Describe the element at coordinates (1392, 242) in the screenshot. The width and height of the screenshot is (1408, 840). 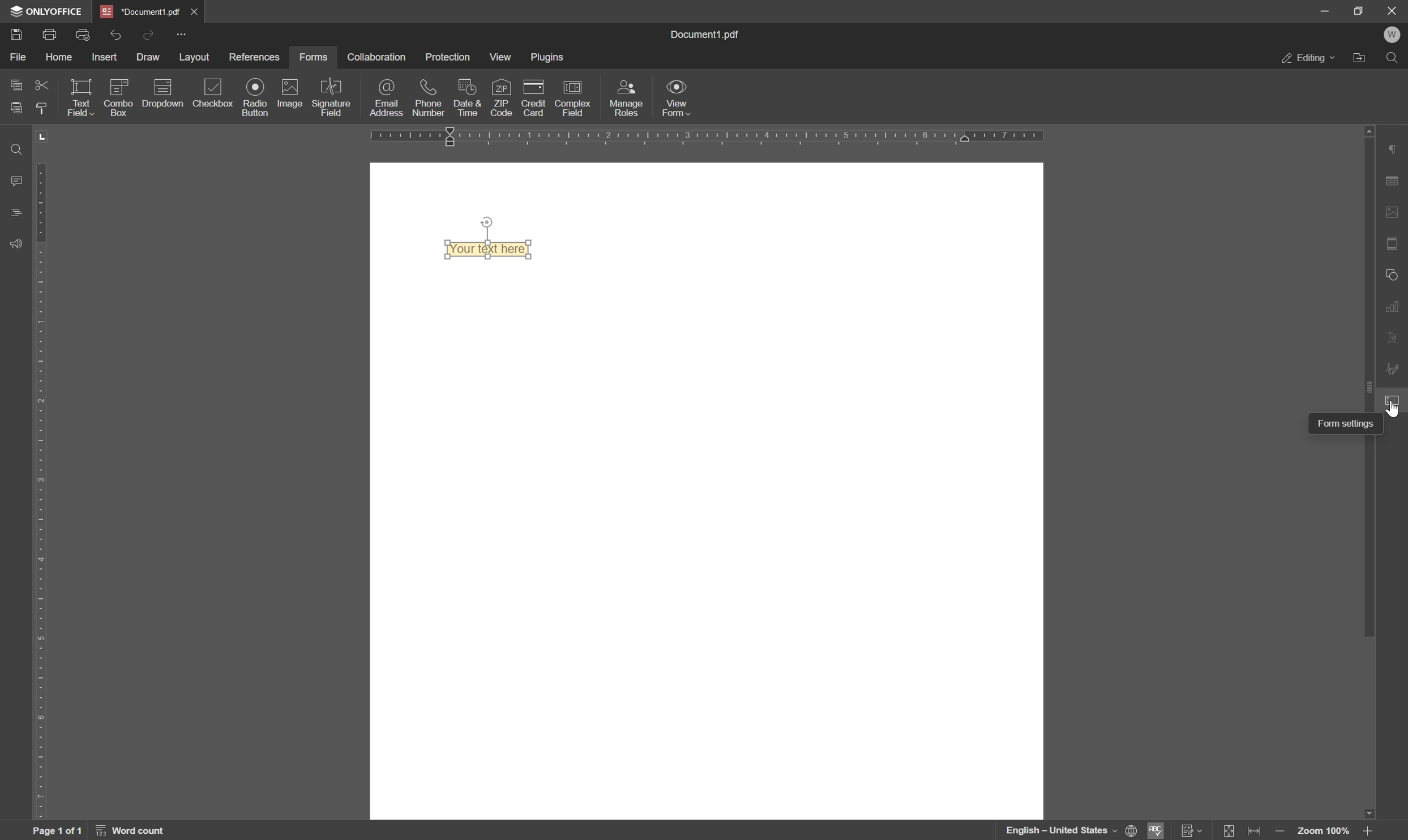
I see `header and footer settings` at that location.